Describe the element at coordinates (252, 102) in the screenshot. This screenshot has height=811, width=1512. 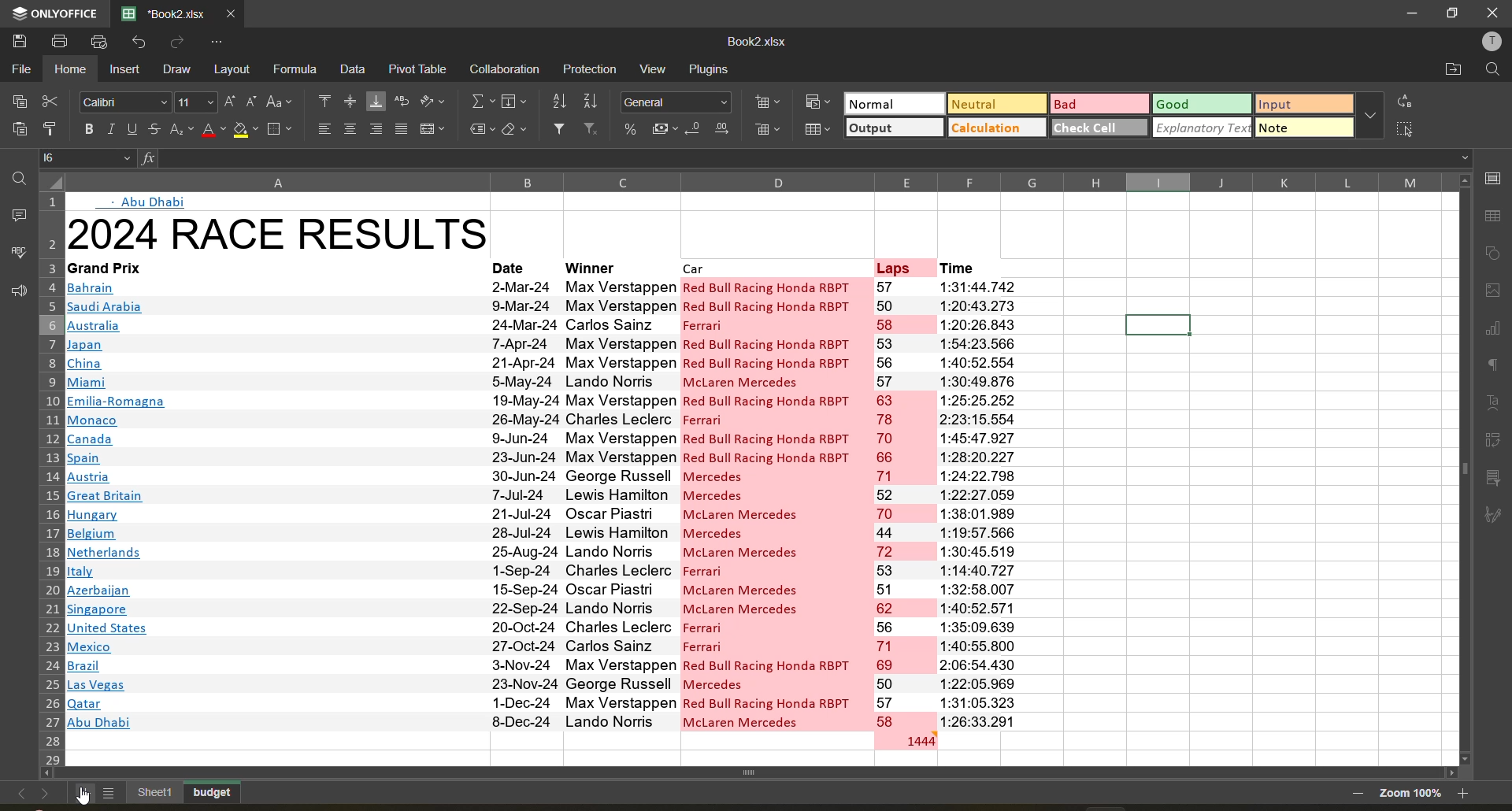
I see `decrement size` at that location.